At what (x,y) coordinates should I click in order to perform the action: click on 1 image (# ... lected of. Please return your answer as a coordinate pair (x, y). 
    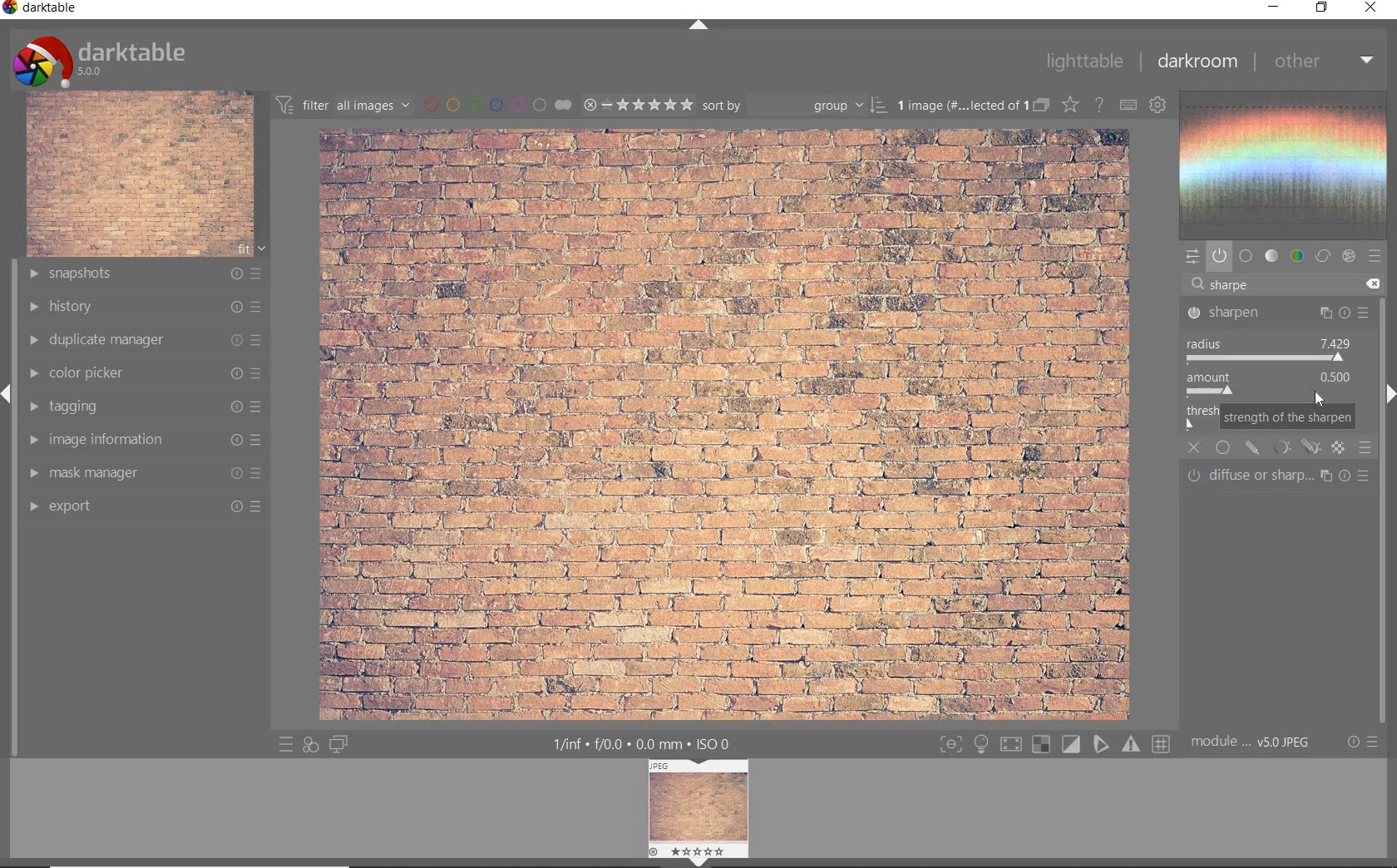
    Looking at the image, I should click on (959, 104).